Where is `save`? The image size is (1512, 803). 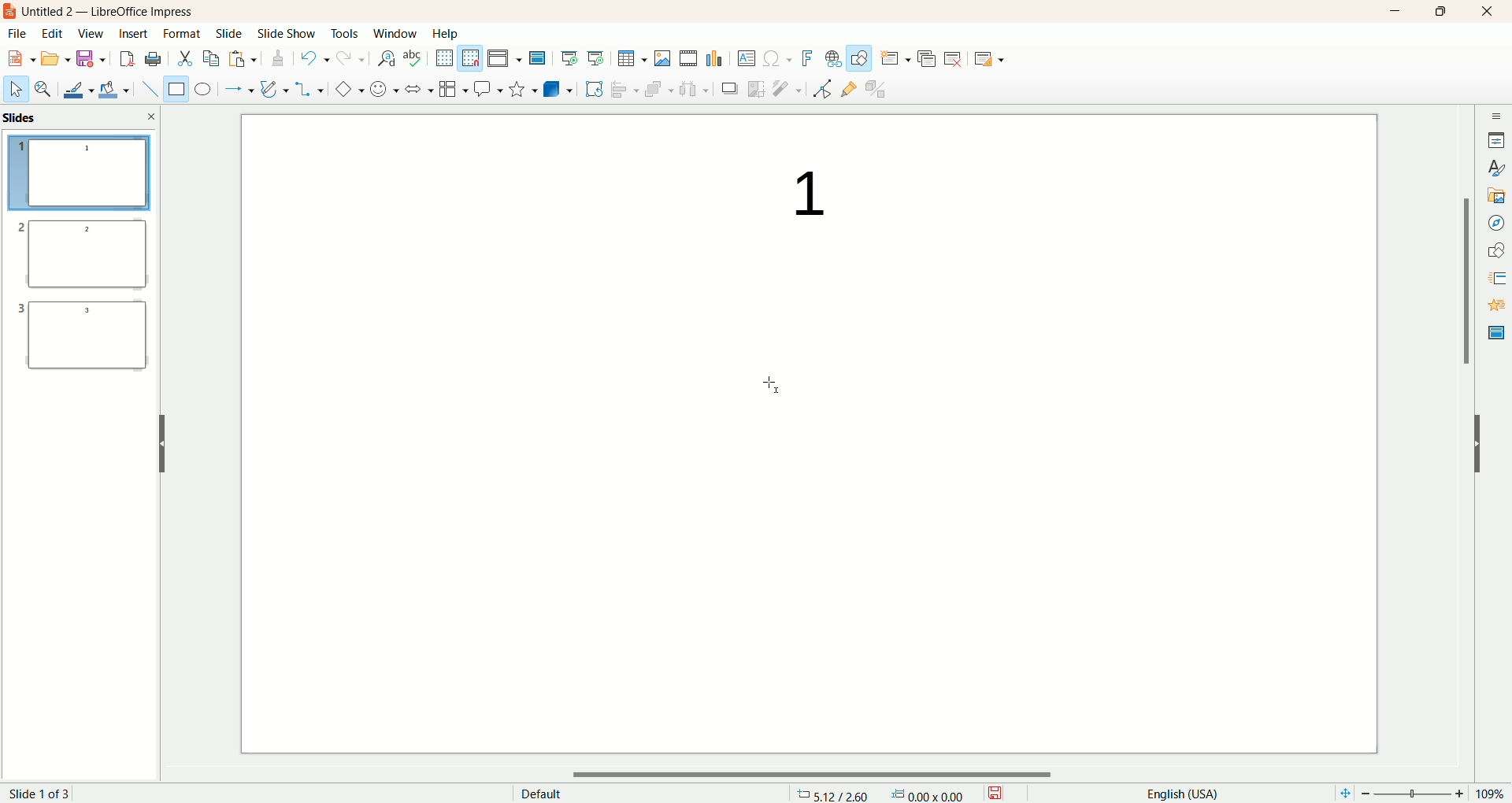
save is located at coordinates (1000, 791).